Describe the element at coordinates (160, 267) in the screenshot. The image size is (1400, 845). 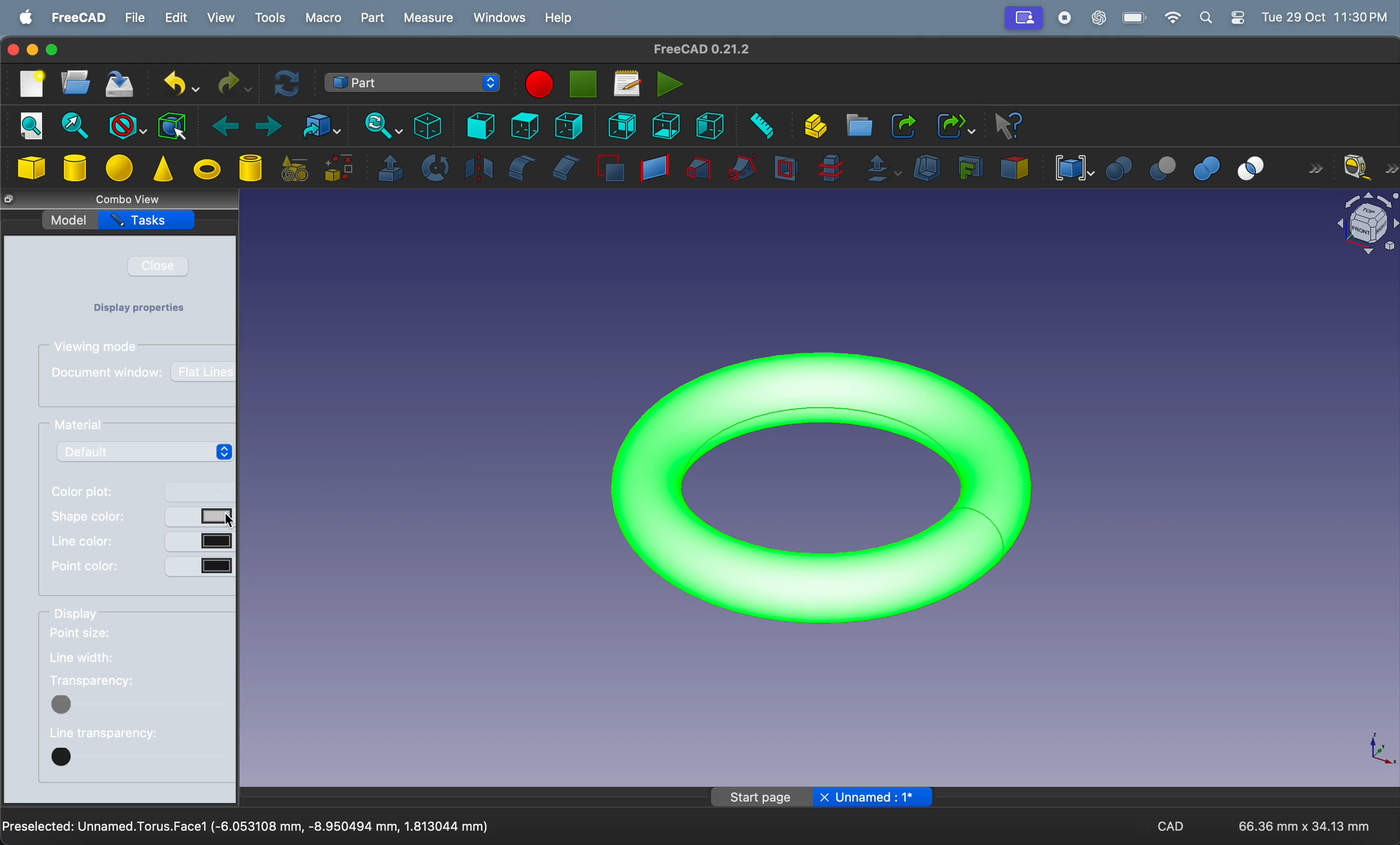
I see `close` at that location.